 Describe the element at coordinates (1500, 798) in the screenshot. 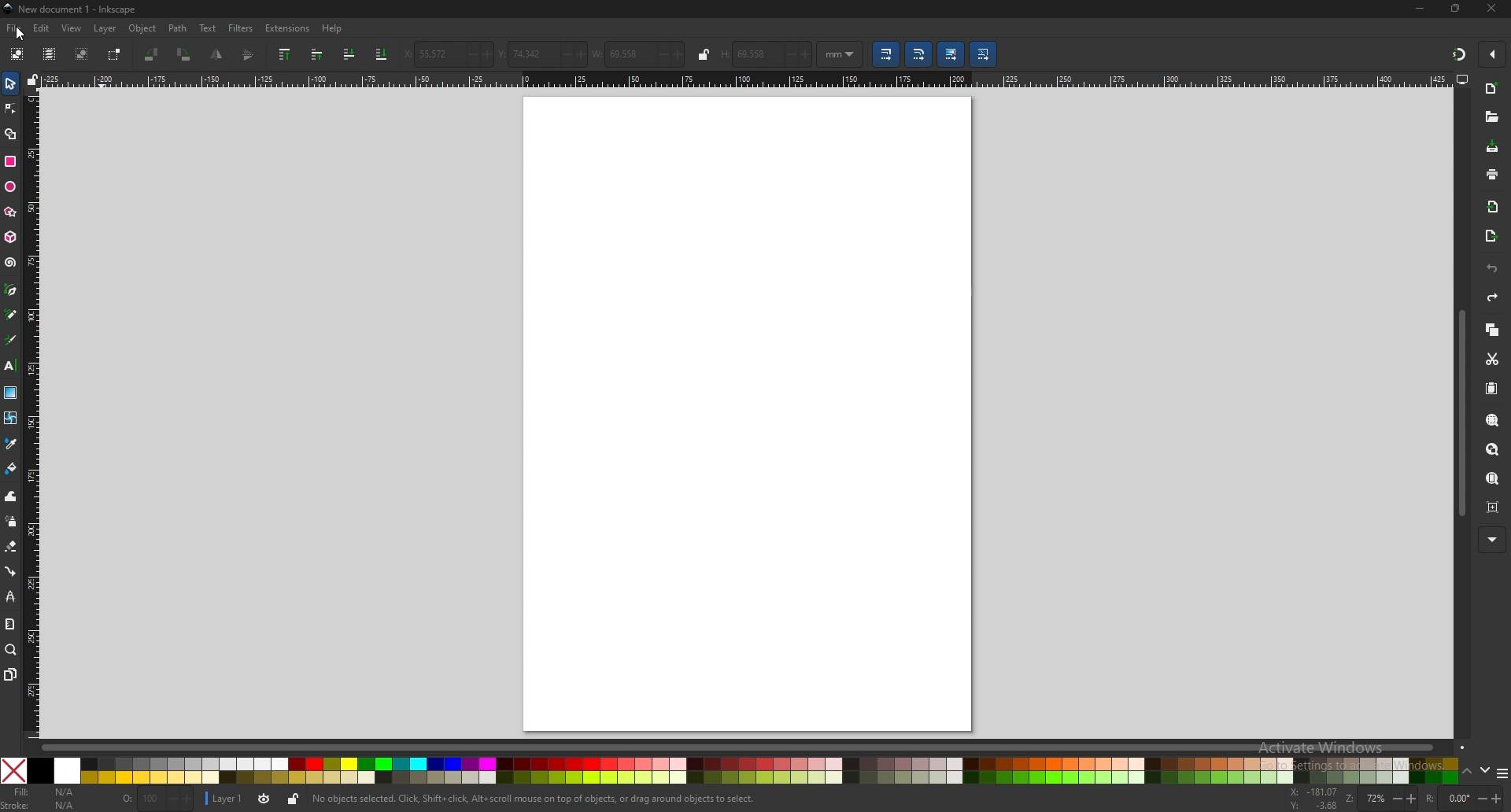

I see `+` at that location.